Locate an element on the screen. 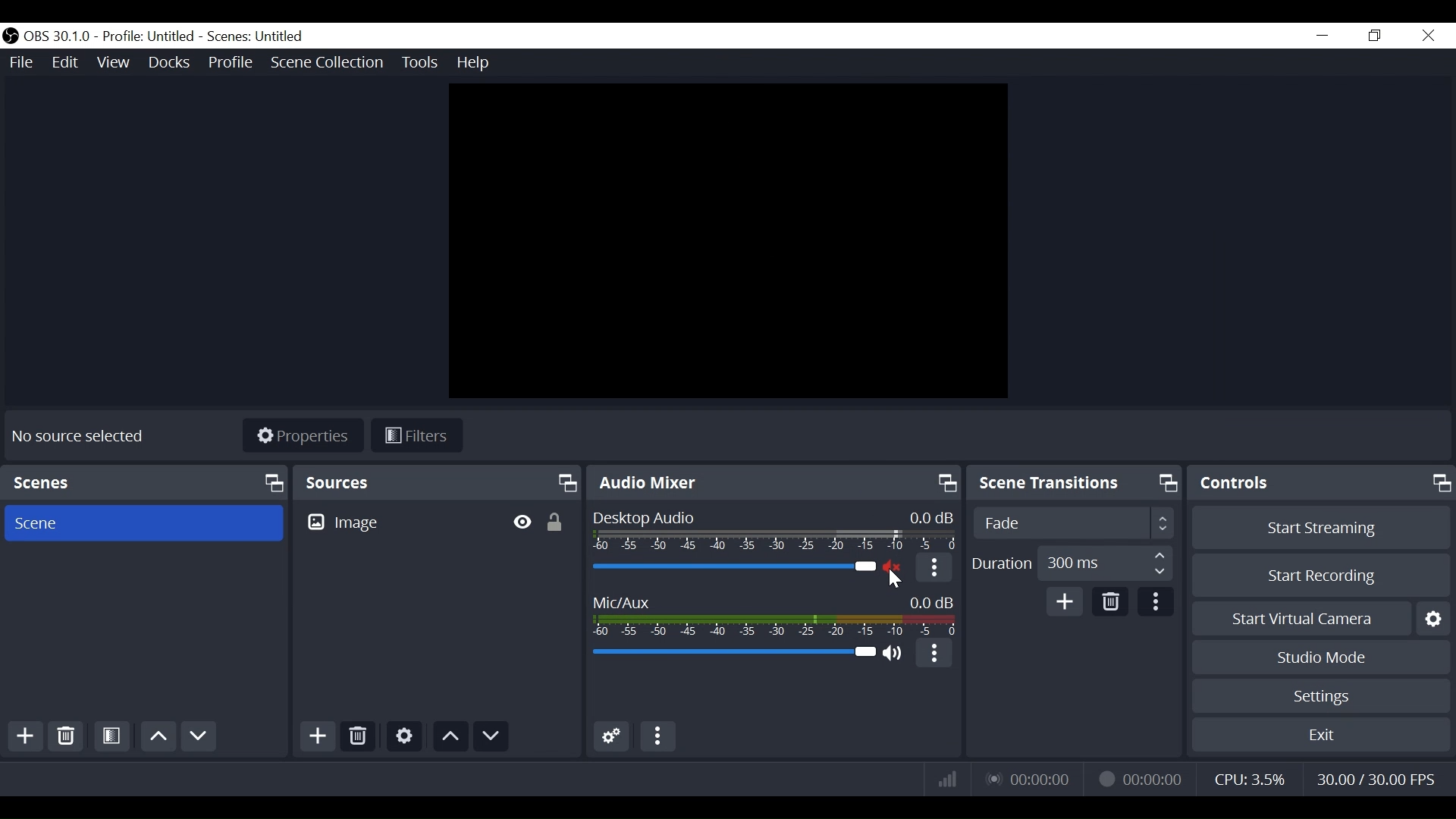 This screenshot has height=819, width=1456. Profile Name is located at coordinates (151, 36).